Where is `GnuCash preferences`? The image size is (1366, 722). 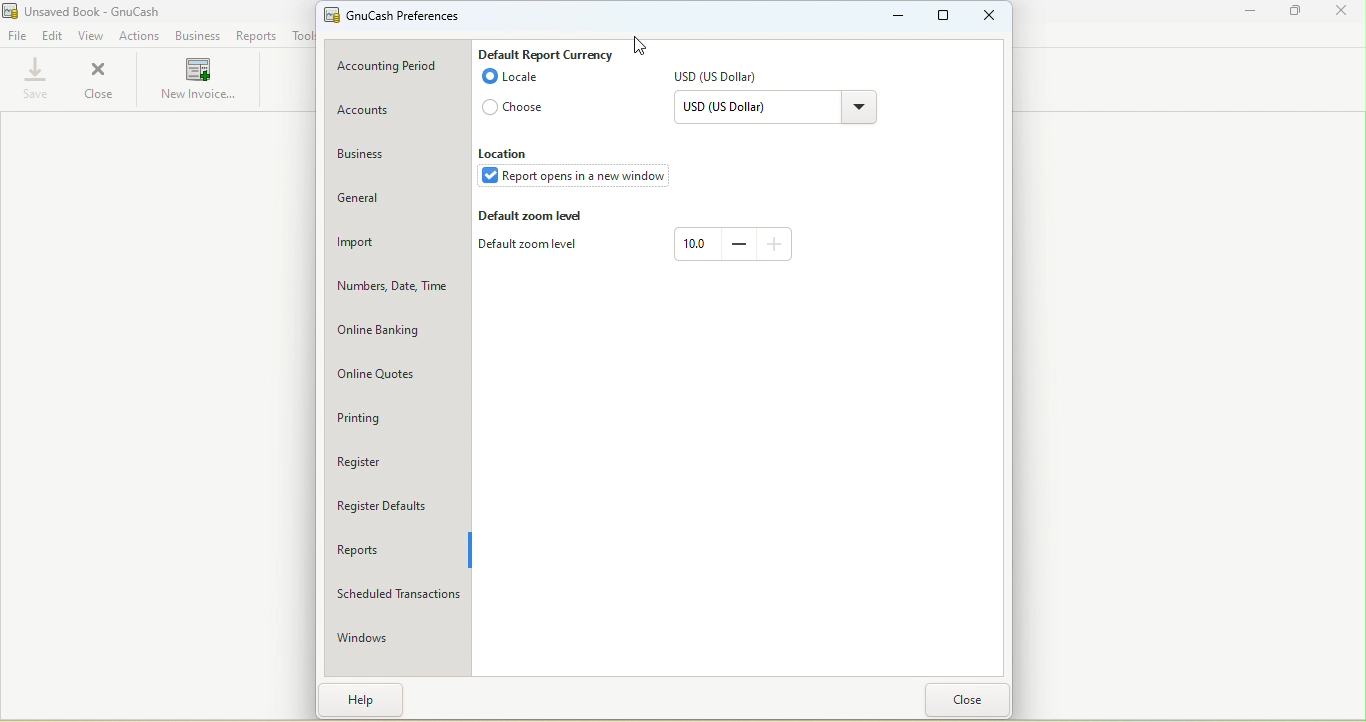
GnuCash preferences is located at coordinates (400, 16).